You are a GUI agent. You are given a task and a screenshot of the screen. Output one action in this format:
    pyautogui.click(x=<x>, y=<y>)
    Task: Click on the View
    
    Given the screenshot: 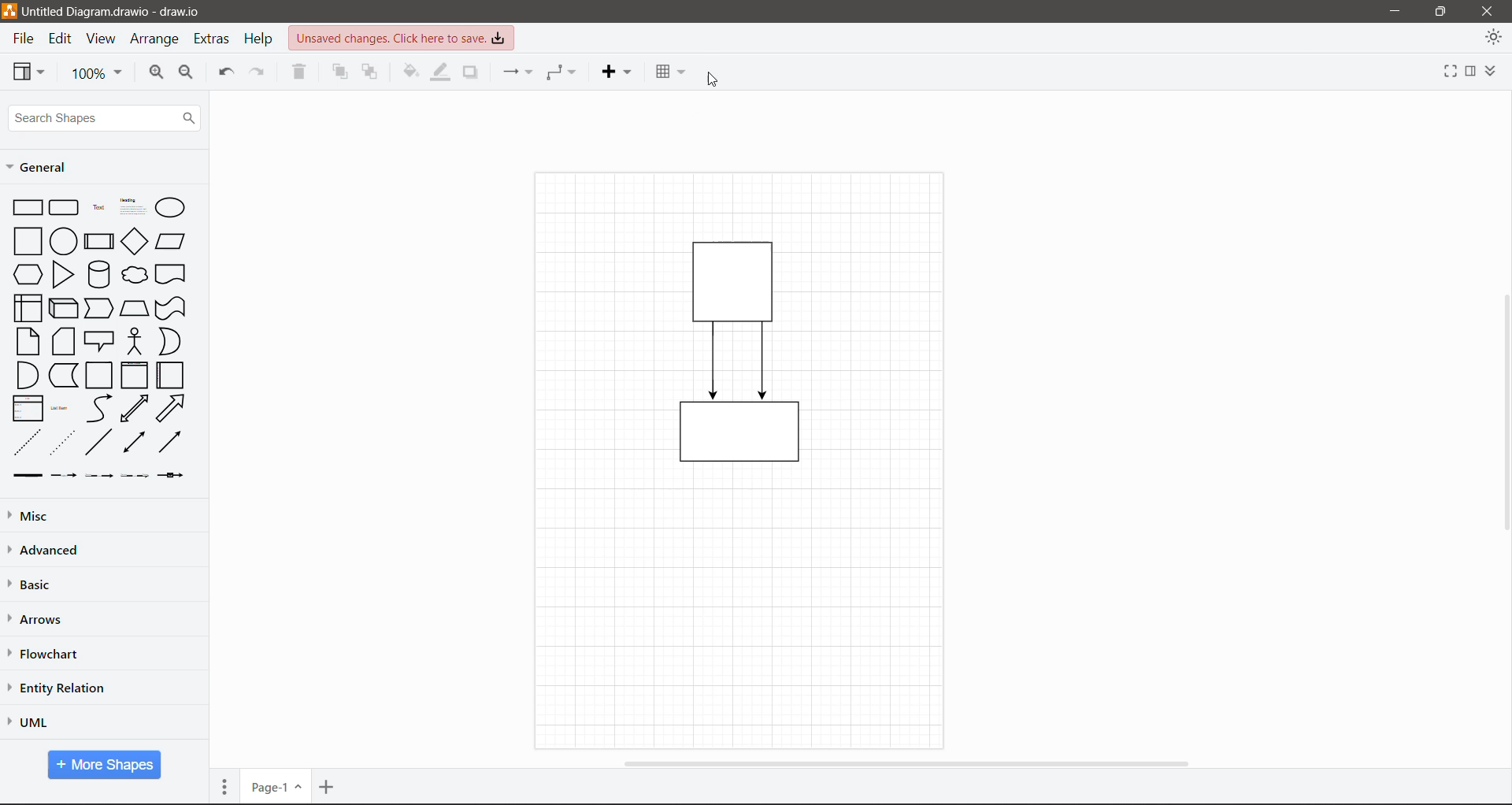 What is the action you would take?
    pyautogui.click(x=101, y=39)
    